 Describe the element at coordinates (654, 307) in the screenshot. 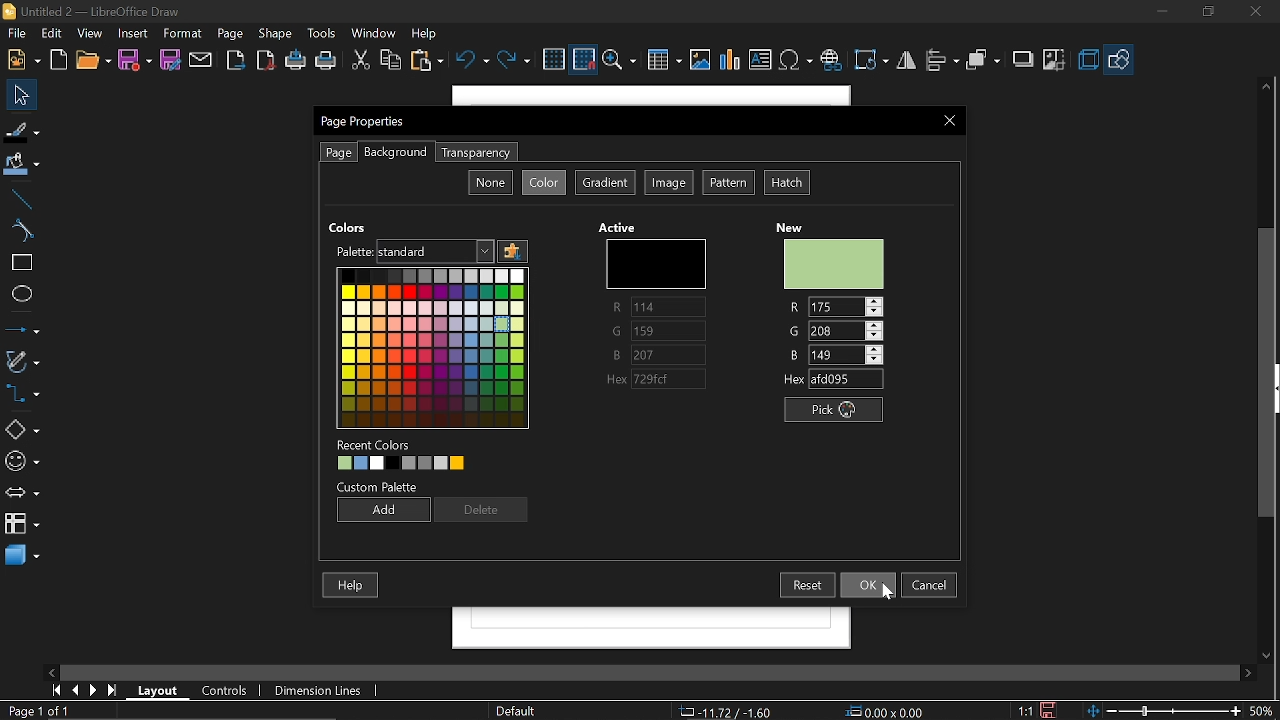

I see `R` at that location.